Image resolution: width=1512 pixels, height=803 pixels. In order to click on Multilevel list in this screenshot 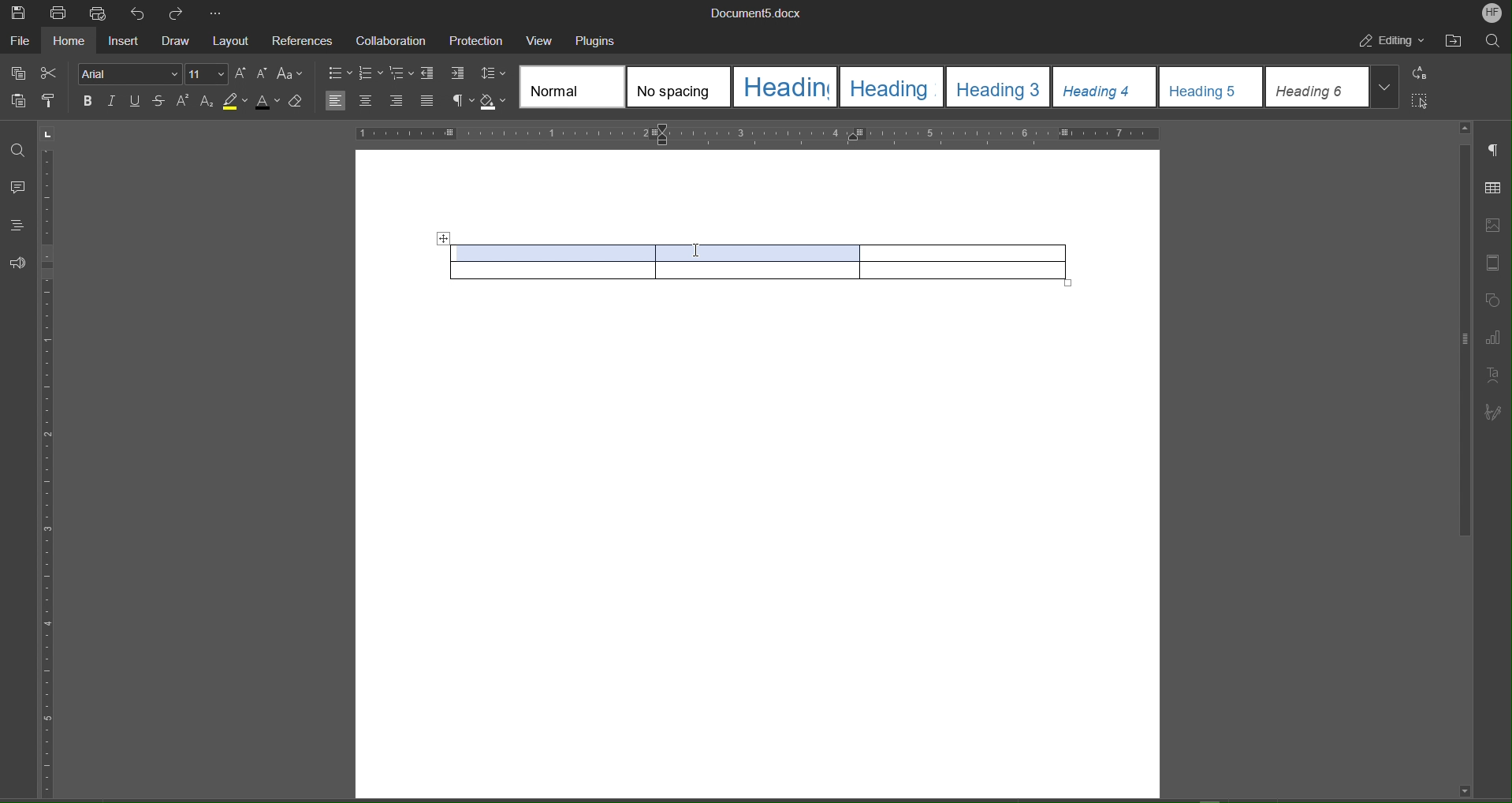, I will do `click(402, 74)`.